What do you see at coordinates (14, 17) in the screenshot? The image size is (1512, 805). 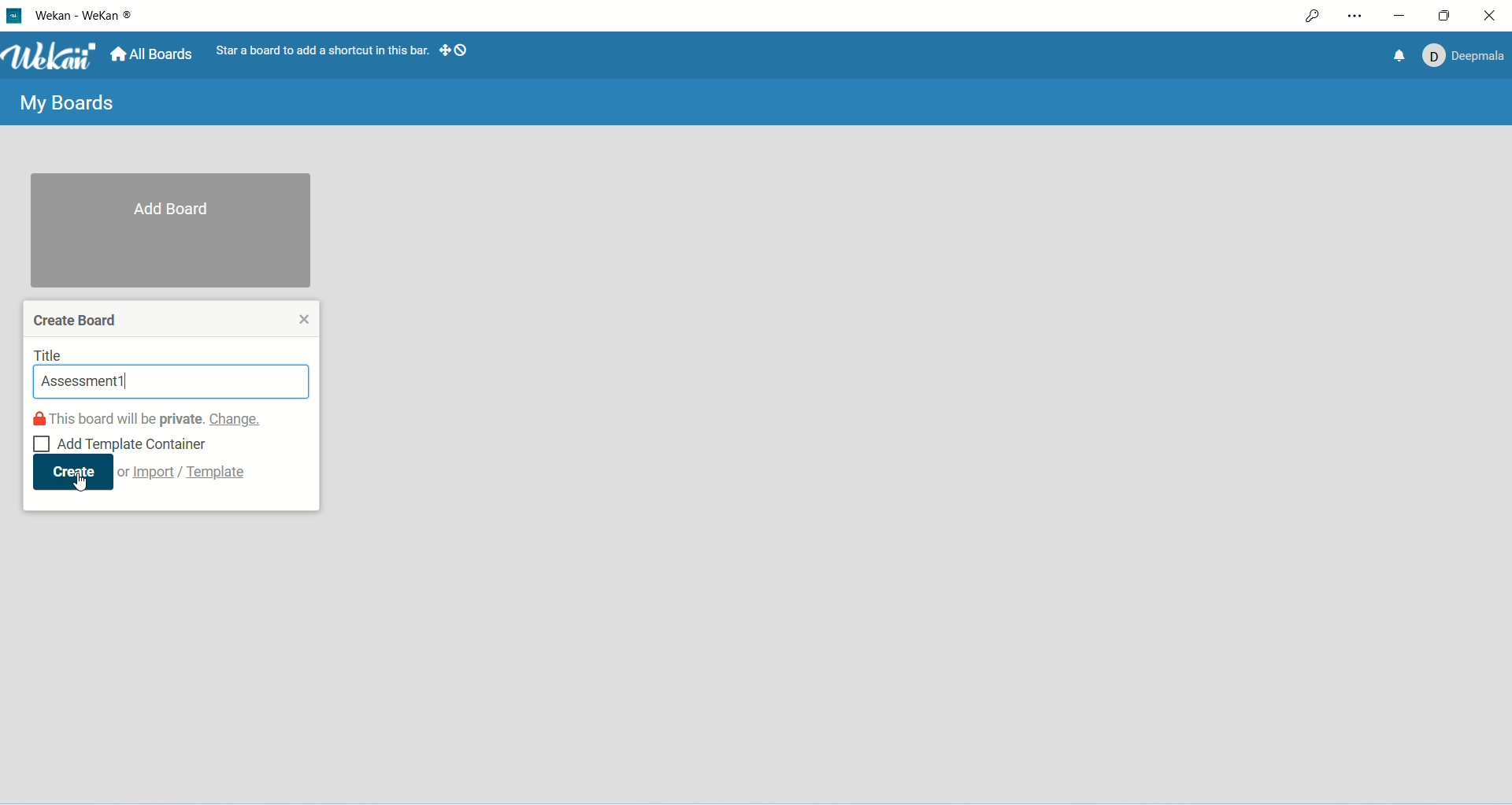 I see `logo` at bounding box center [14, 17].